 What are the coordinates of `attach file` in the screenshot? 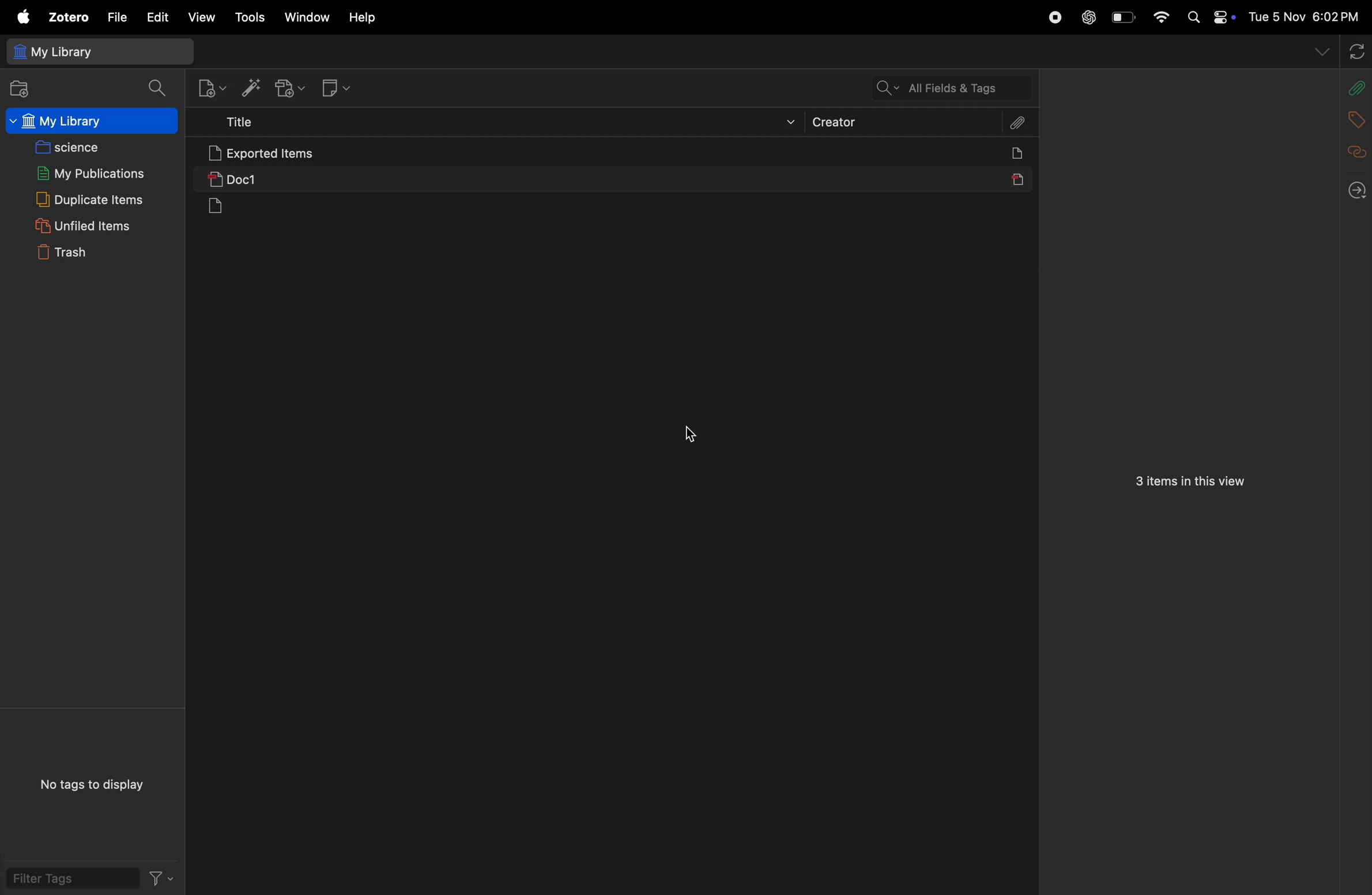 It's located at (1018, 122).